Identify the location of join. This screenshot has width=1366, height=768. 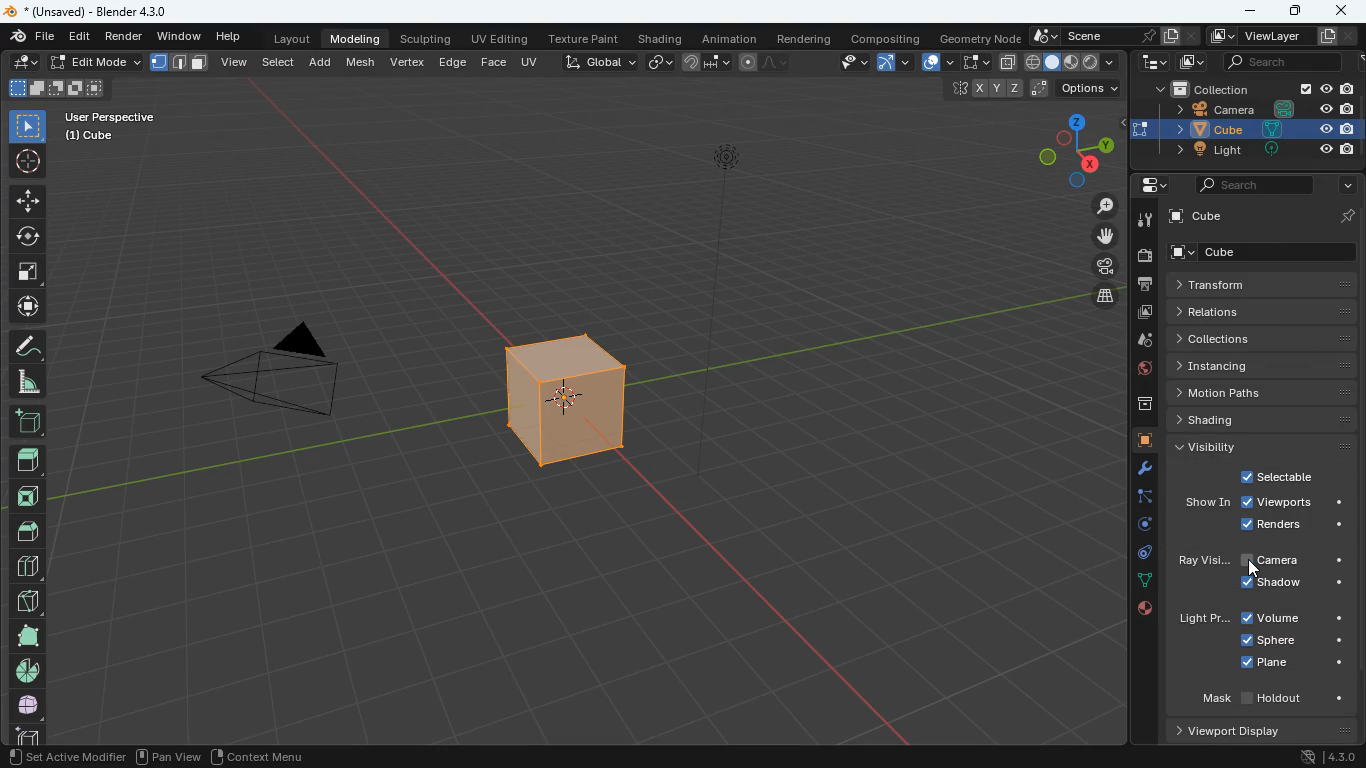
(706, 63).